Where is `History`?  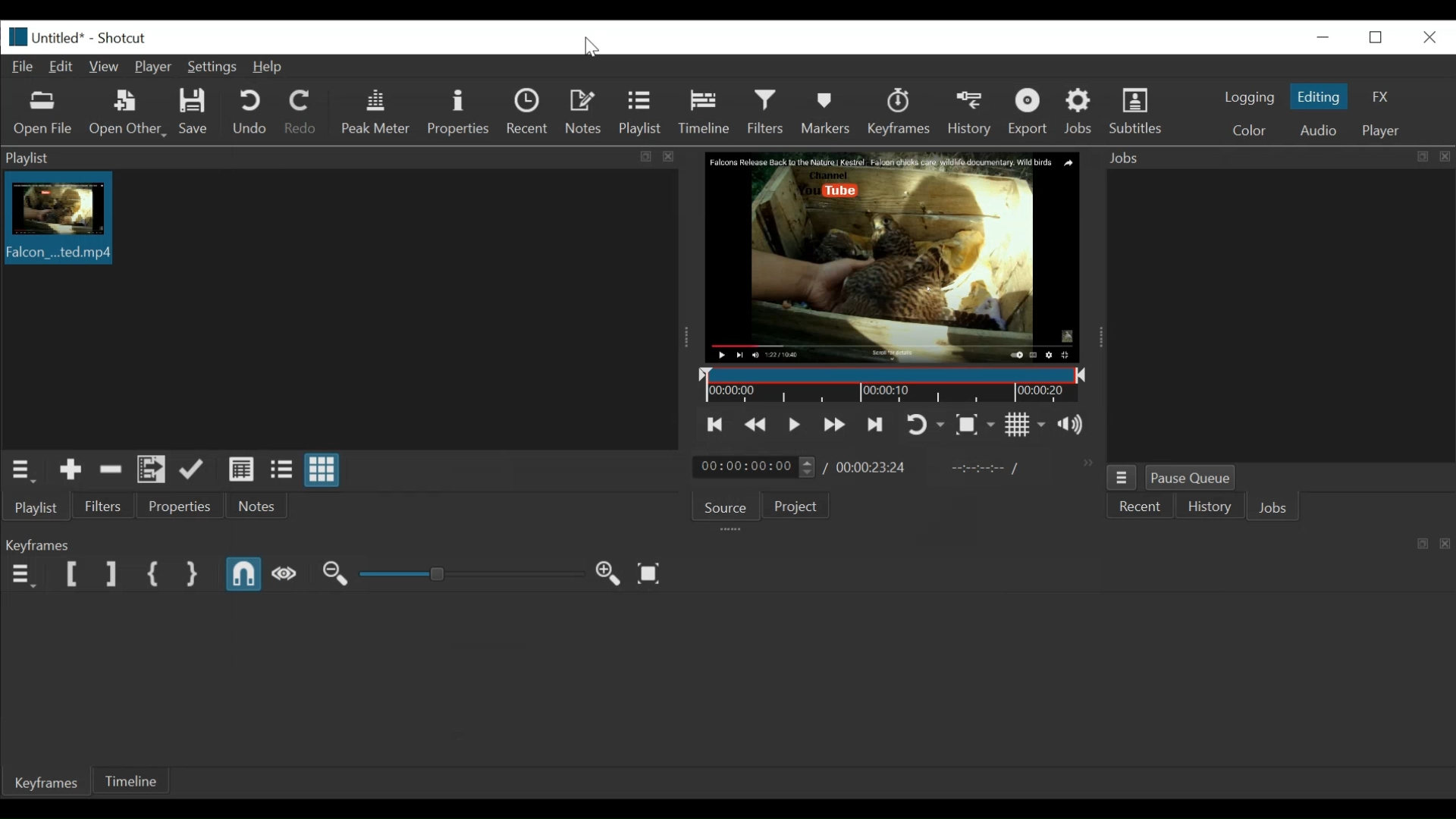
History is located at coordinates (1208, 507).